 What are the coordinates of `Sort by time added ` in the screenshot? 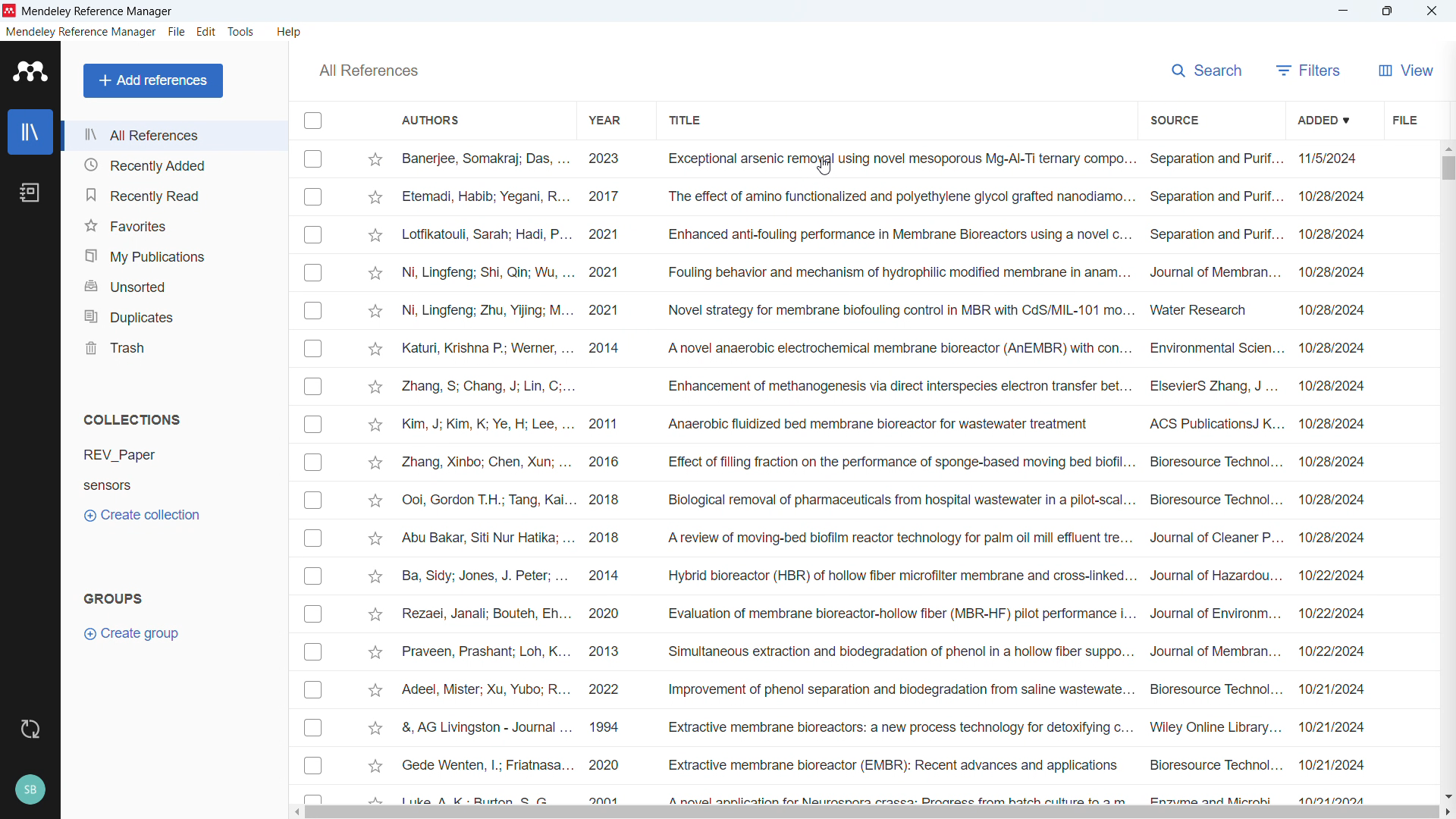 It's located at (1330, 120).